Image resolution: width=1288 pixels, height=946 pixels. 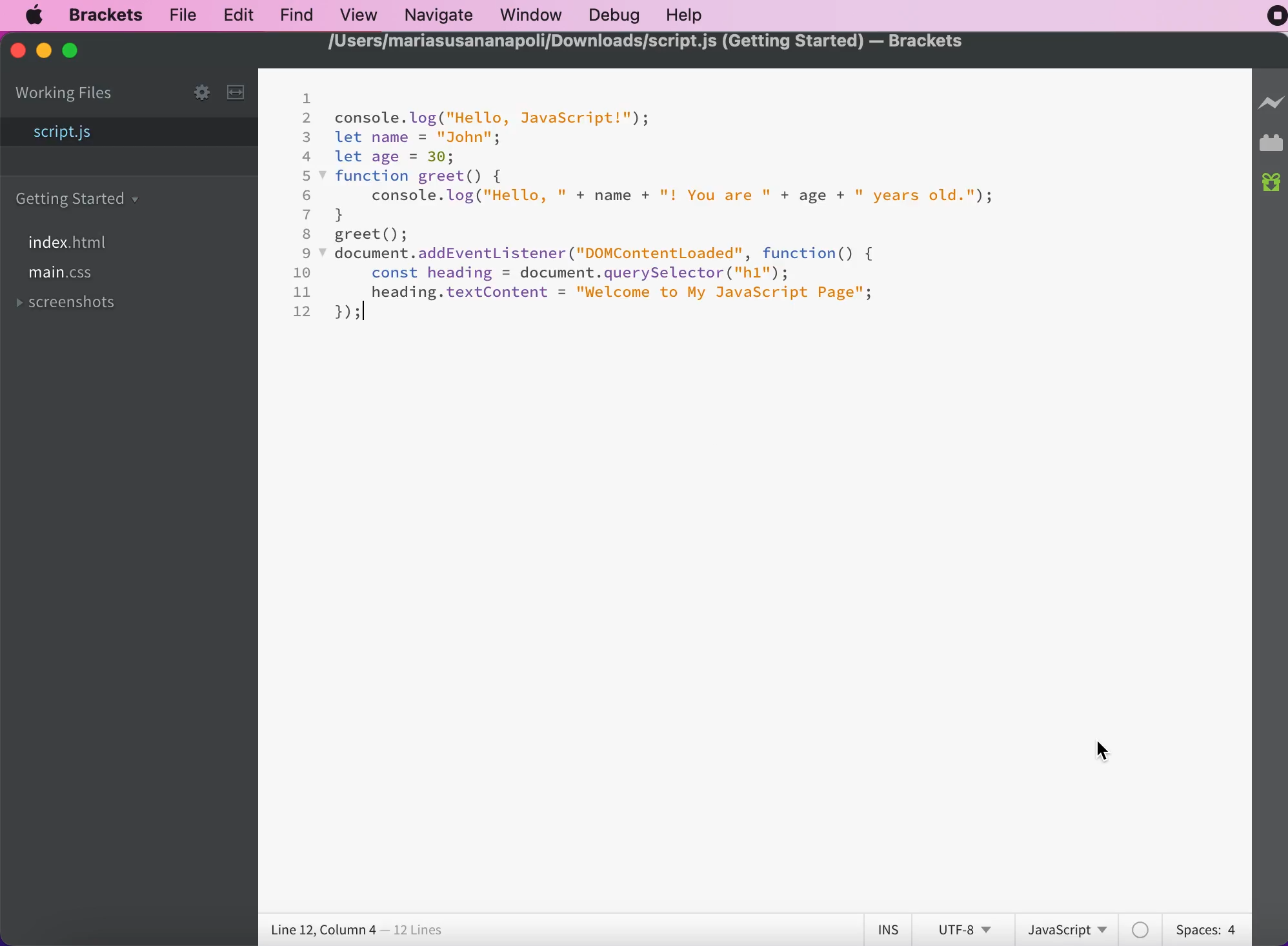 What do you see at coordinates (1272, 184) in the screenshot?
I see `new build of brackets` at bounding box center [1272, 184].